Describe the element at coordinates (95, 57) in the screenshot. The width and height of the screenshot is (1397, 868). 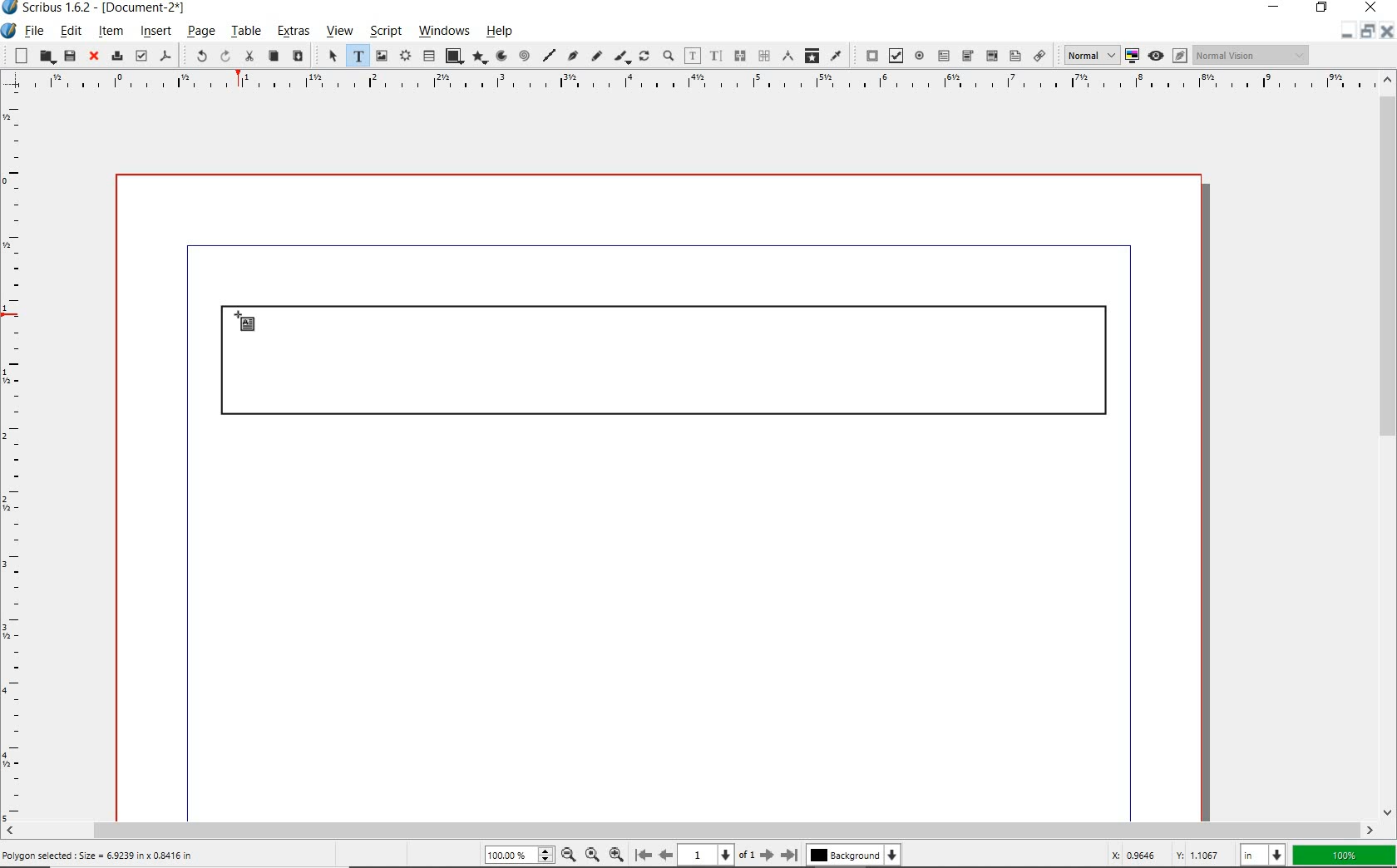
I see `close` at that location.